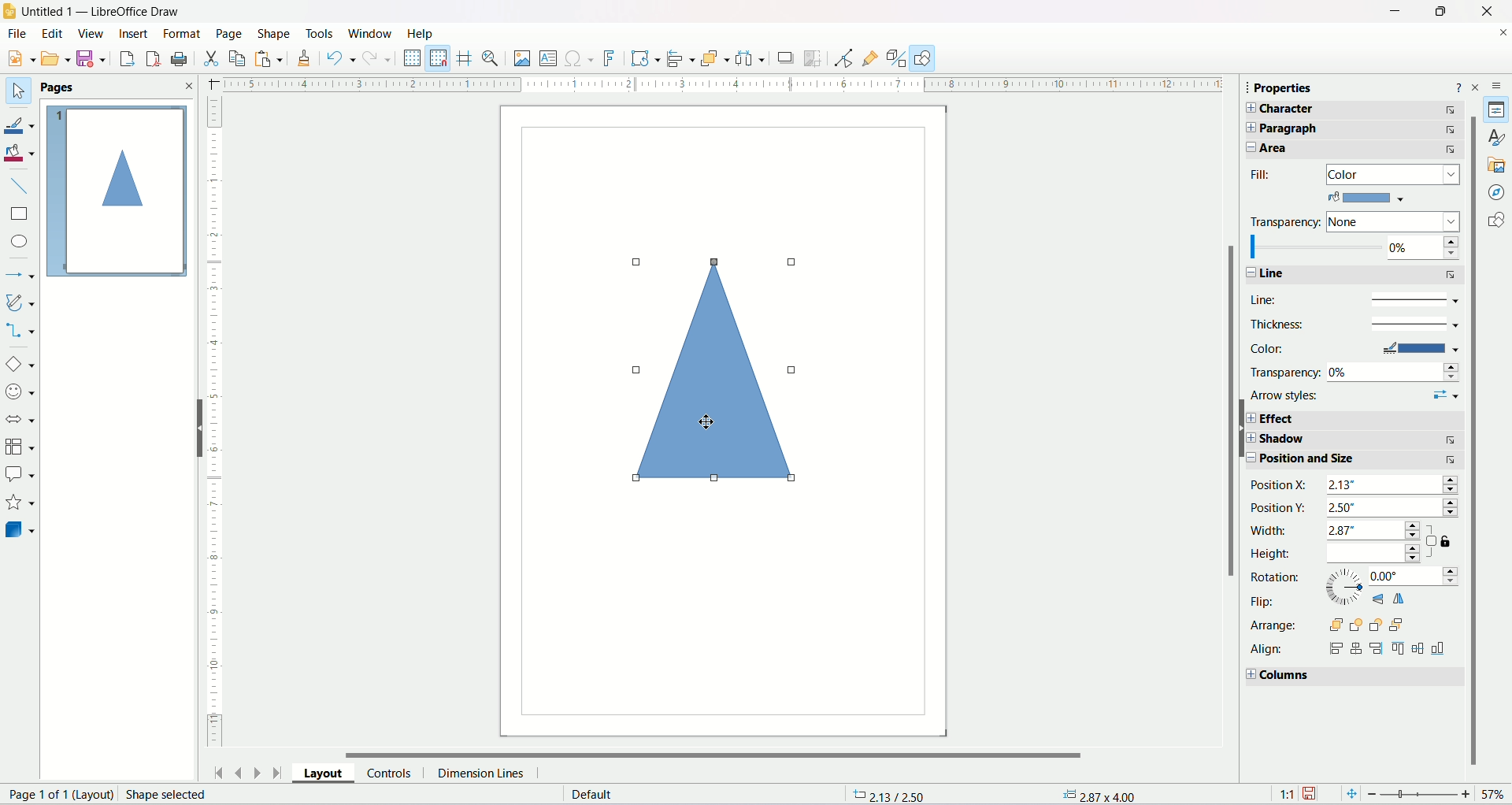  I want to click on Minimize, so click(1395, 10).